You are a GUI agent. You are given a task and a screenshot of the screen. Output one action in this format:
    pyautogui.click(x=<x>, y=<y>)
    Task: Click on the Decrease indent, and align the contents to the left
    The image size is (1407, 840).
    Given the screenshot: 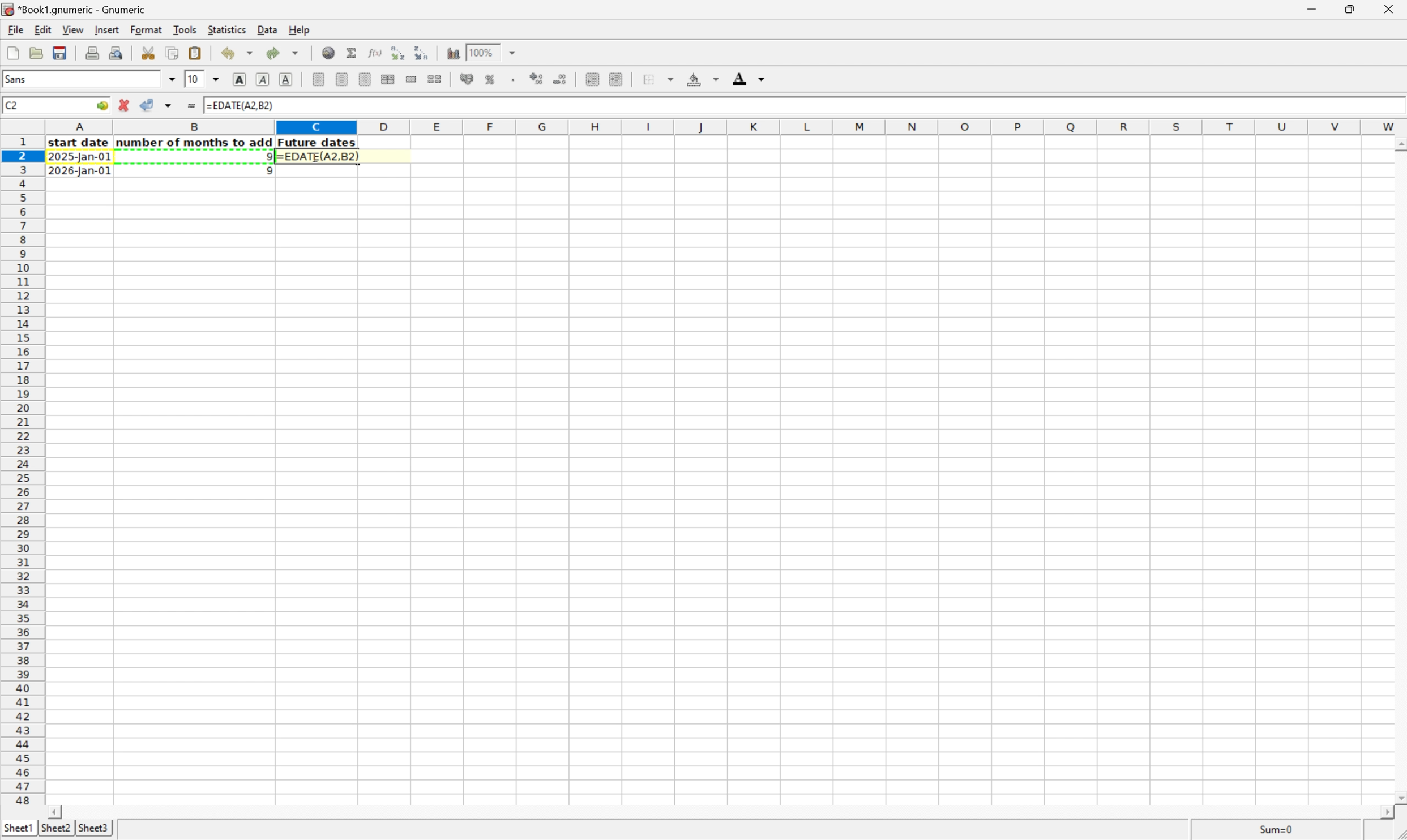 What is the action you would take?
    pyautogui.click(x=590, y=79)
    